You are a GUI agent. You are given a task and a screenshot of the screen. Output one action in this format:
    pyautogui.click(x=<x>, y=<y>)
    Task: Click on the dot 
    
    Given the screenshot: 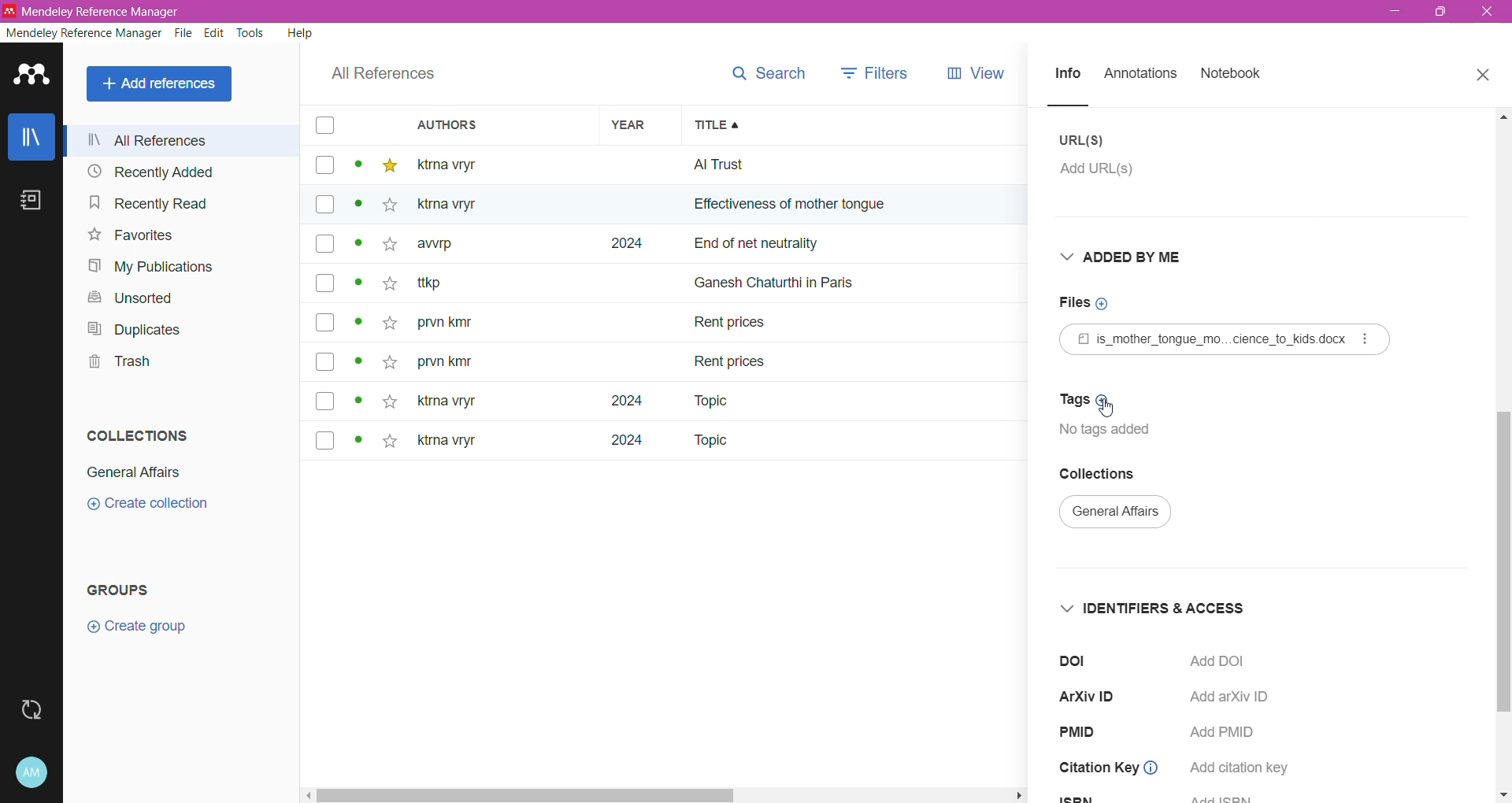 What is the action you would take?
    pyautogui.click(x=357, y=168)
    